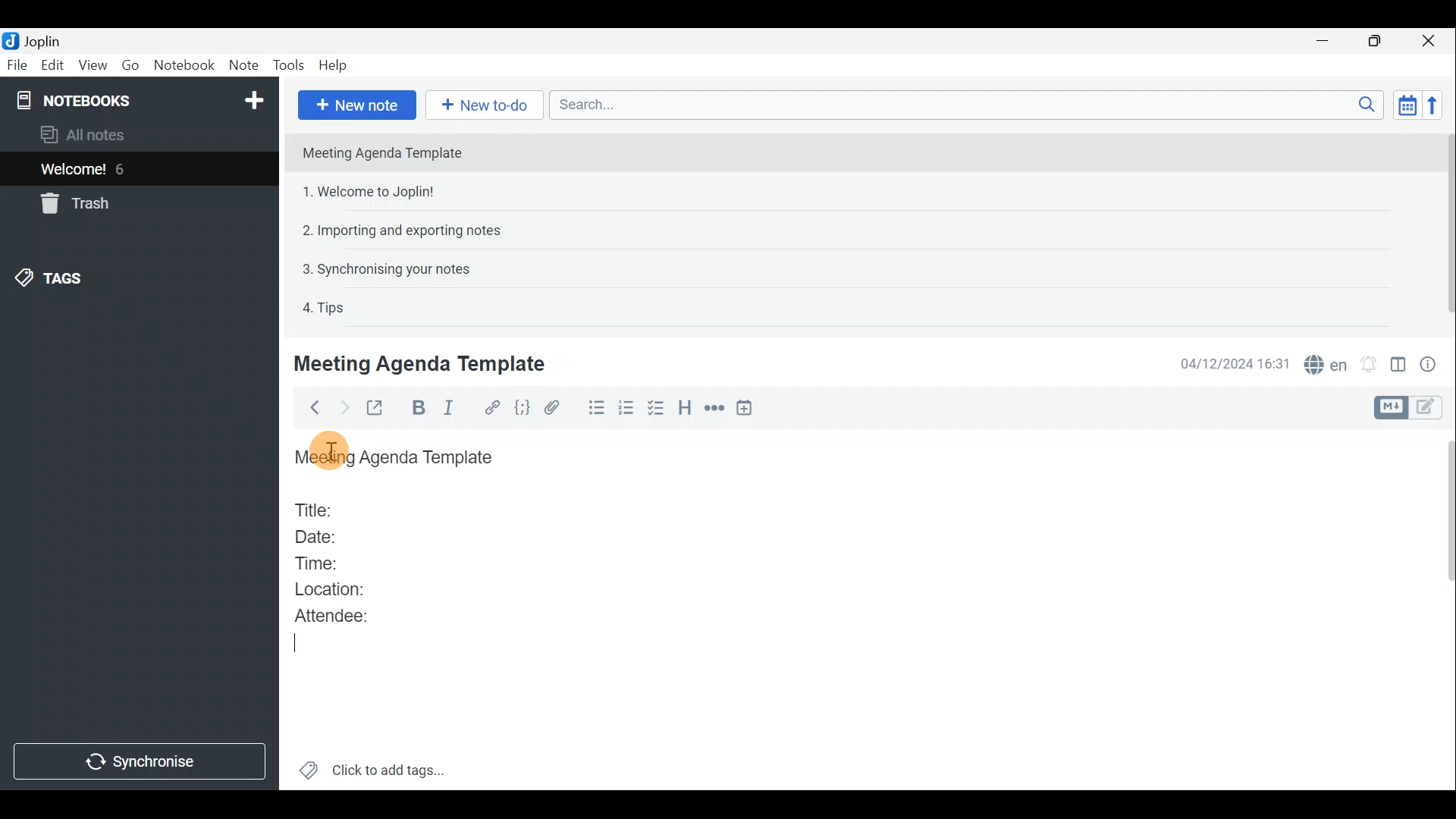 The width and height of the screenshot is (1456, 819). I want to click on 04/12/2024 16:31, so click(1228, 362).